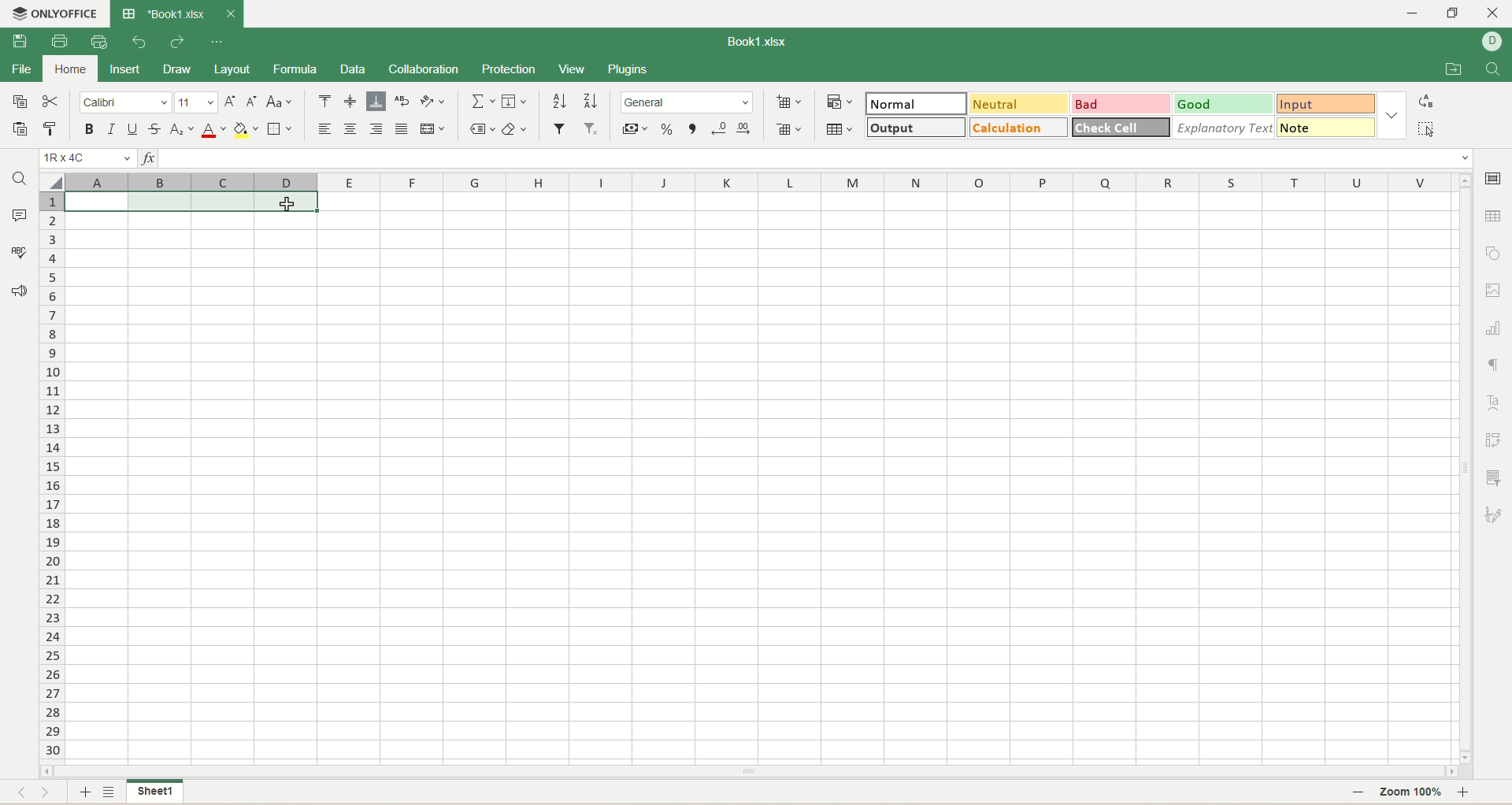  Describe the element at coordinates (376, 102) in the screenshot. I see `align bottom` at that location.